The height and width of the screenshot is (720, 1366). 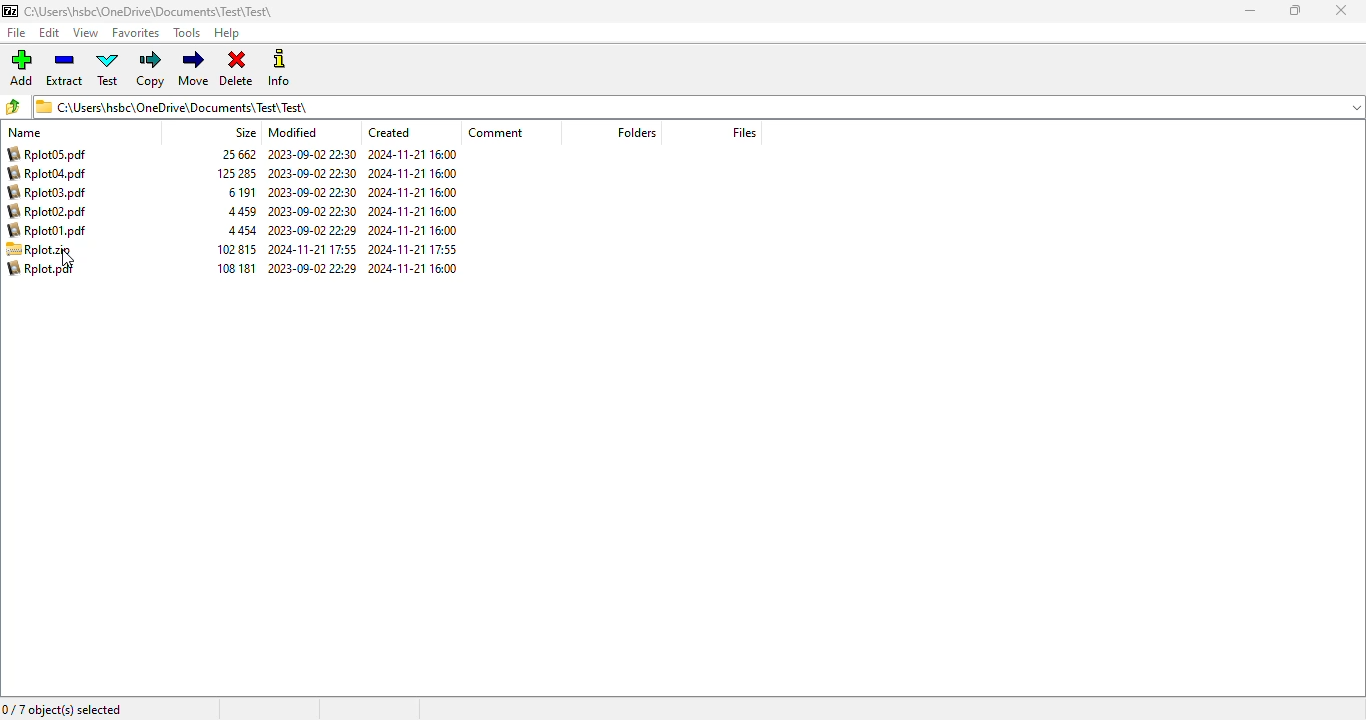 What do you see at coordinates (413, 211) in the screenshot?
I see `2024-11-21 16:00` at bounding box center [413, 211].